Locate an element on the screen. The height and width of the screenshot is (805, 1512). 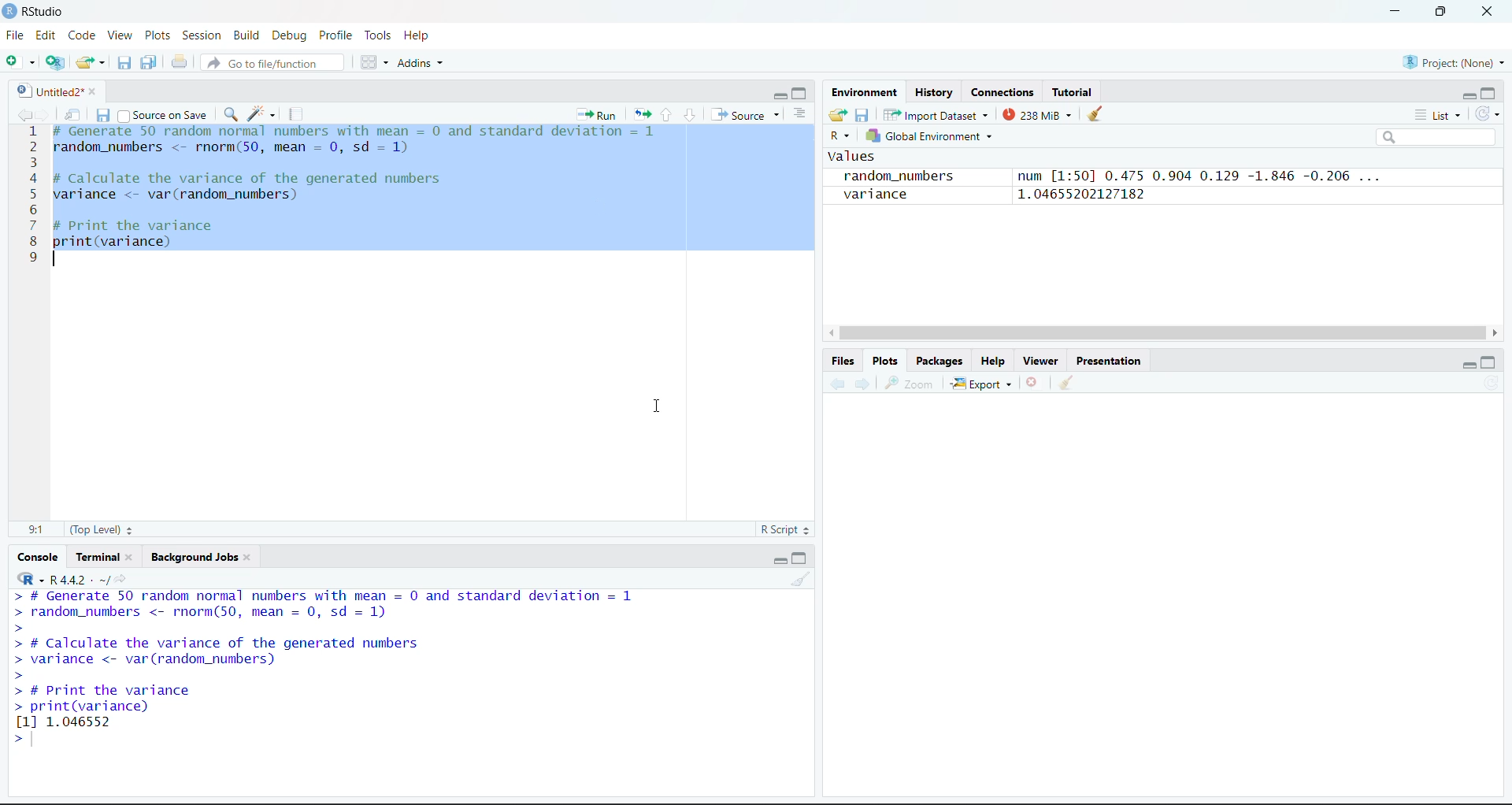
maximize is located at coordinates (1488, 362).